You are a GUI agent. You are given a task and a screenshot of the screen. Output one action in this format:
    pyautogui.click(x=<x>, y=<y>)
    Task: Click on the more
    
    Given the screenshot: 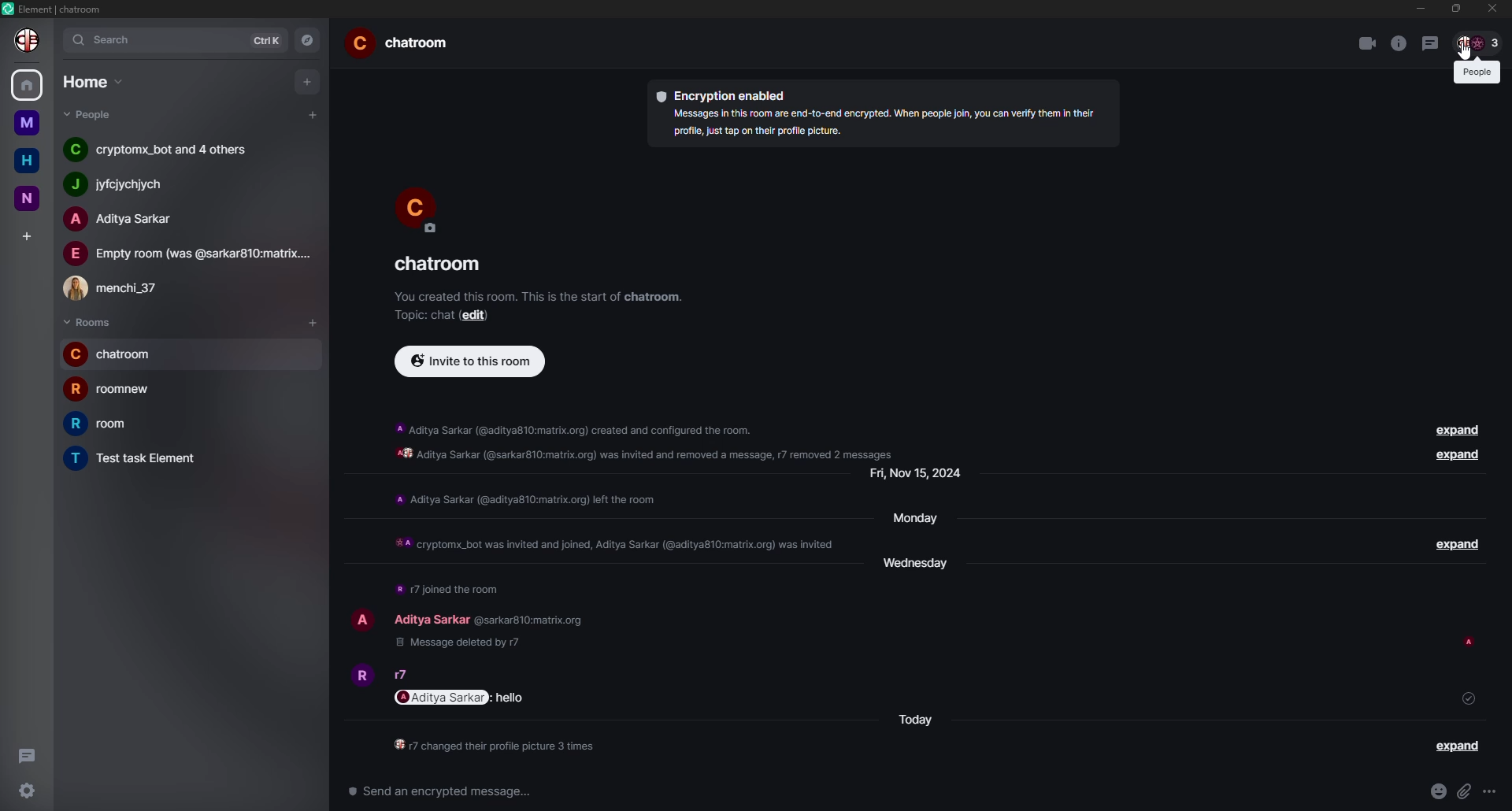 What is the action you would take?
    pyautogui.click(x=1488, y=792)
    